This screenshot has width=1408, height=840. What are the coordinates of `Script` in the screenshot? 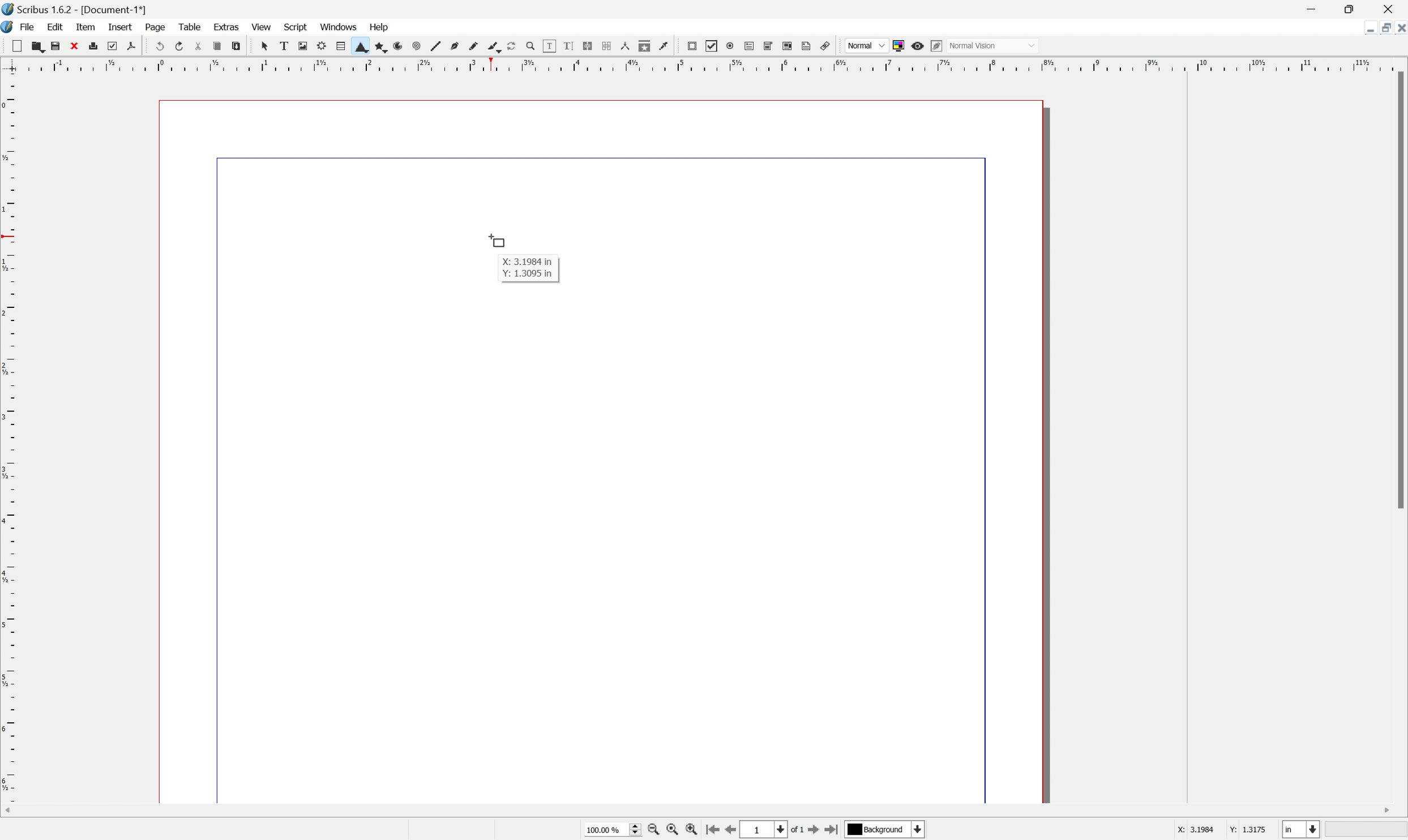 It's located at (297, 27).